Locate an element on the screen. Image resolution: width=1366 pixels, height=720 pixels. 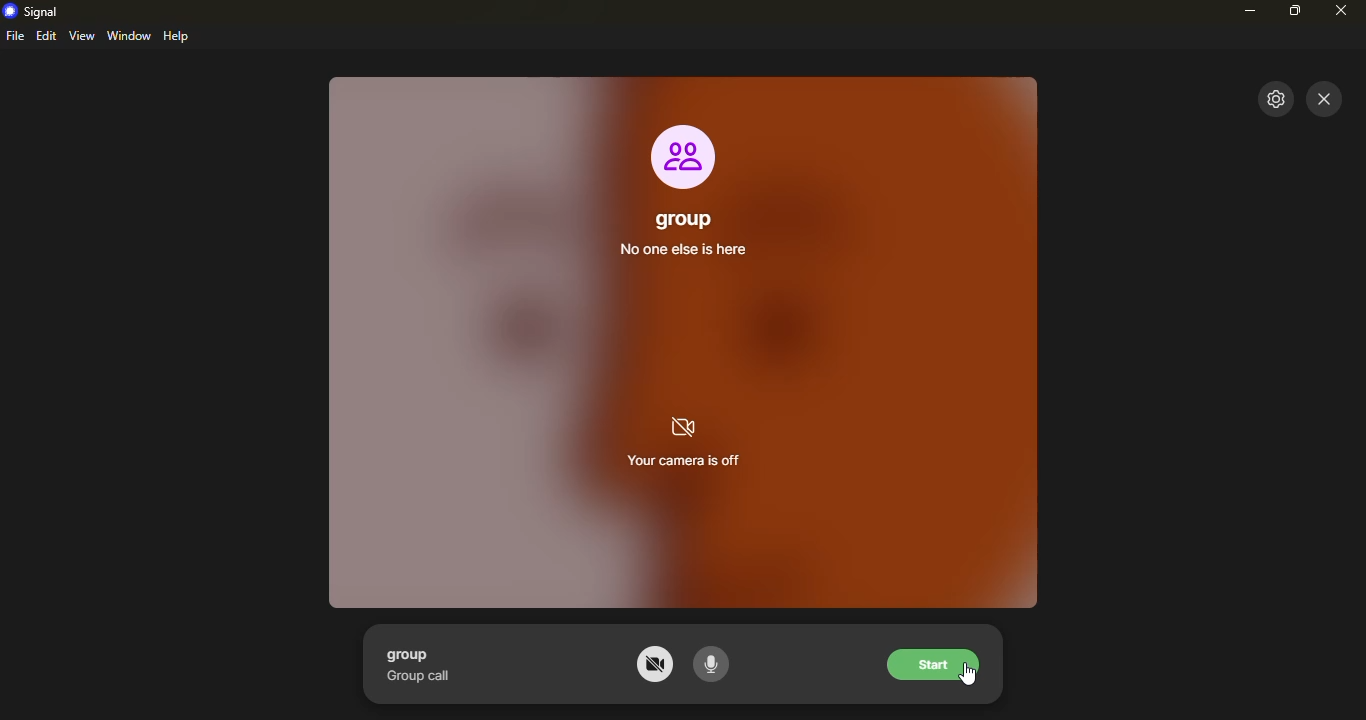
edit is located at coordinates (47, 36).